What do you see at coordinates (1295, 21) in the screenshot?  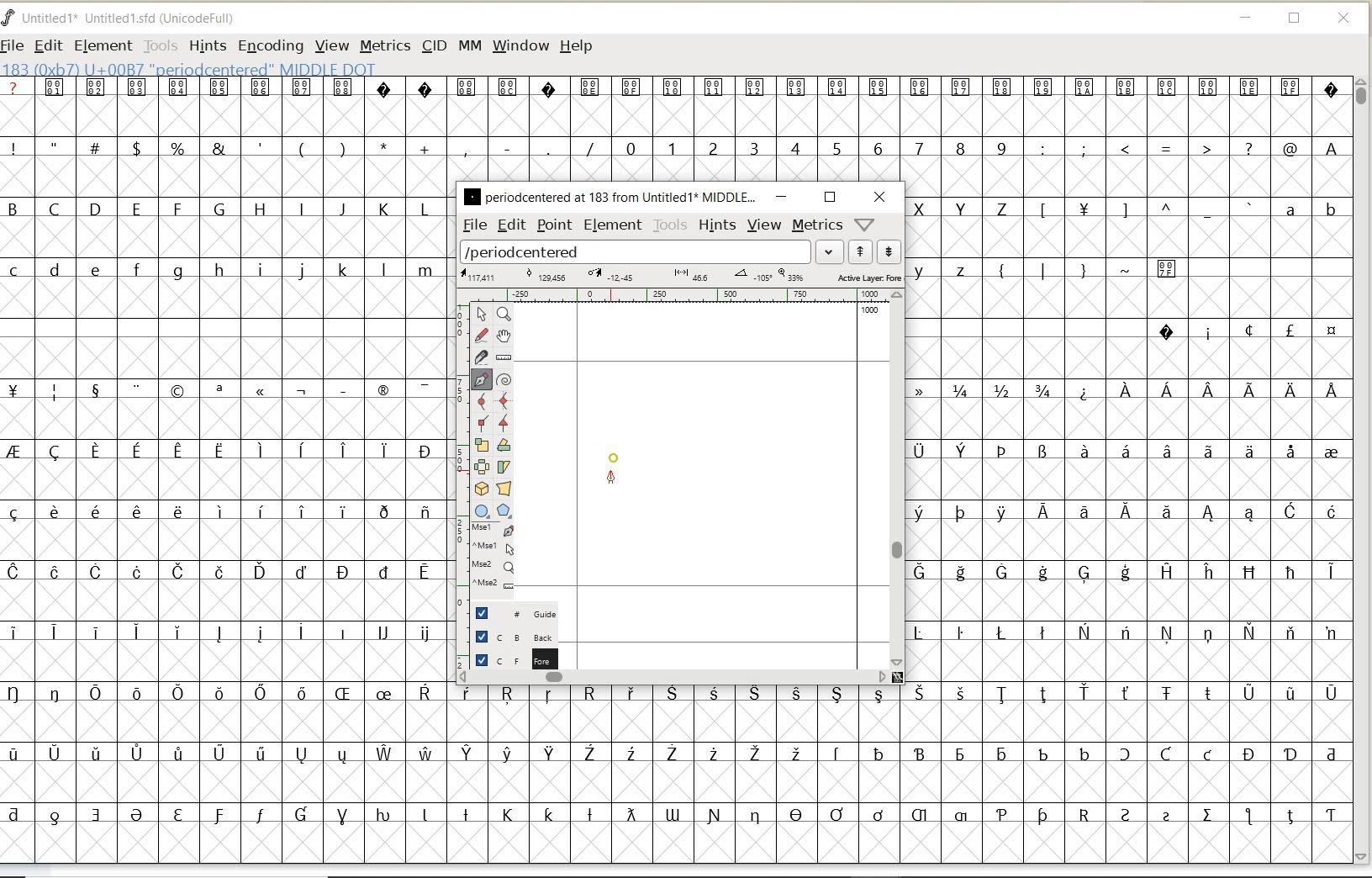 I see `RESTORE` at bounding box center [1295, 21].